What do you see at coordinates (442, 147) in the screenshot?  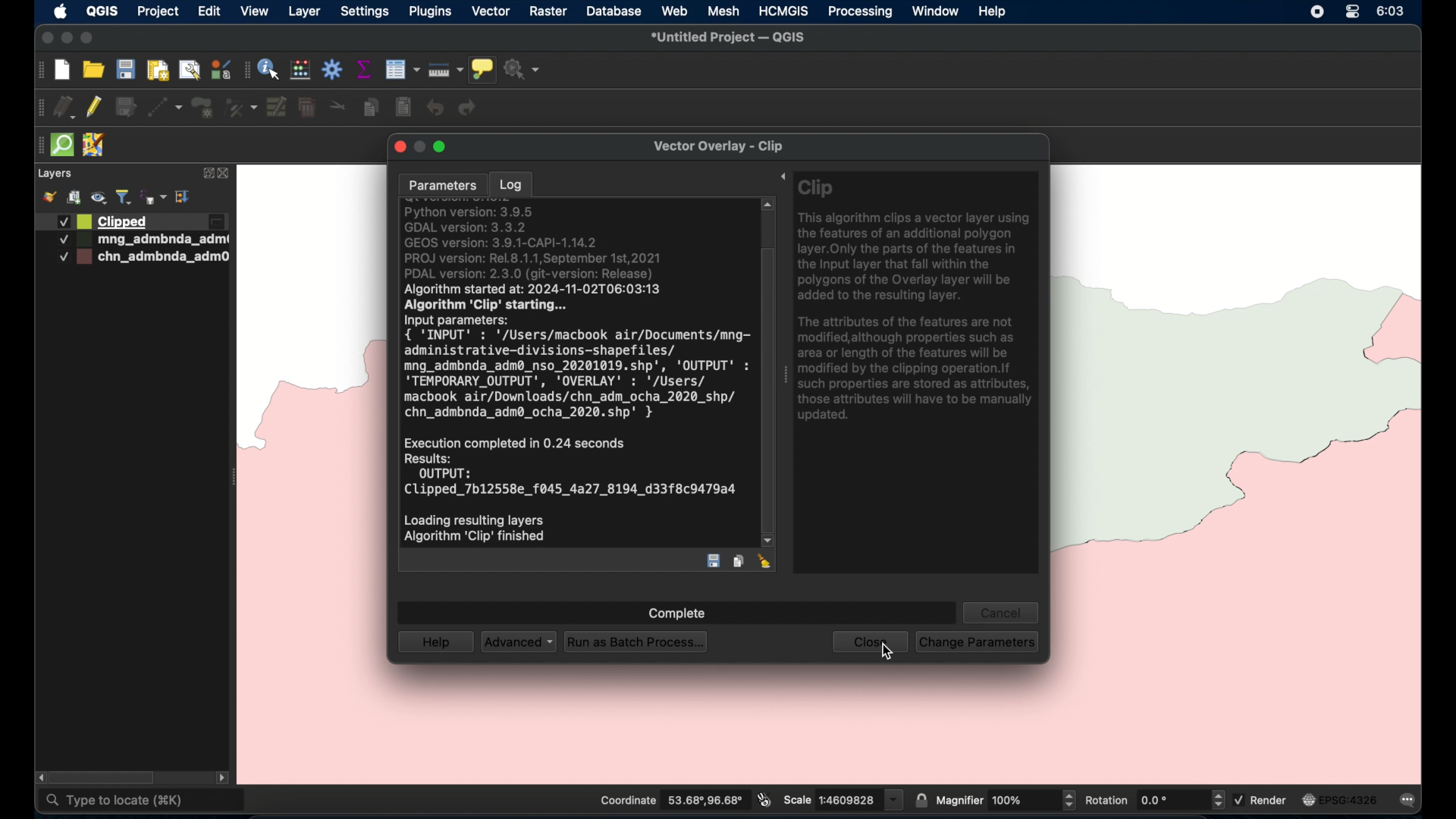 I see `maximize` at bounding box center [442, 147].